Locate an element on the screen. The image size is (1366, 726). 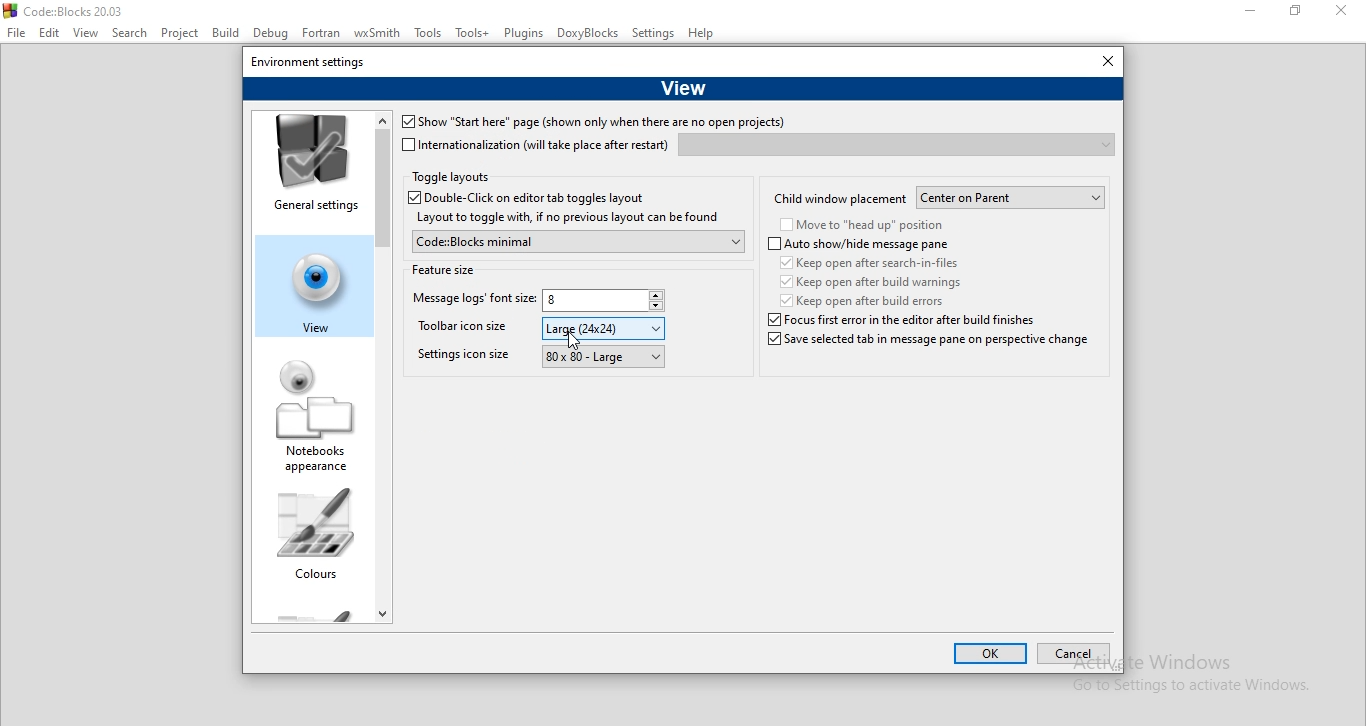
Code:Blocks minimal is located at coordinates (576, 241).